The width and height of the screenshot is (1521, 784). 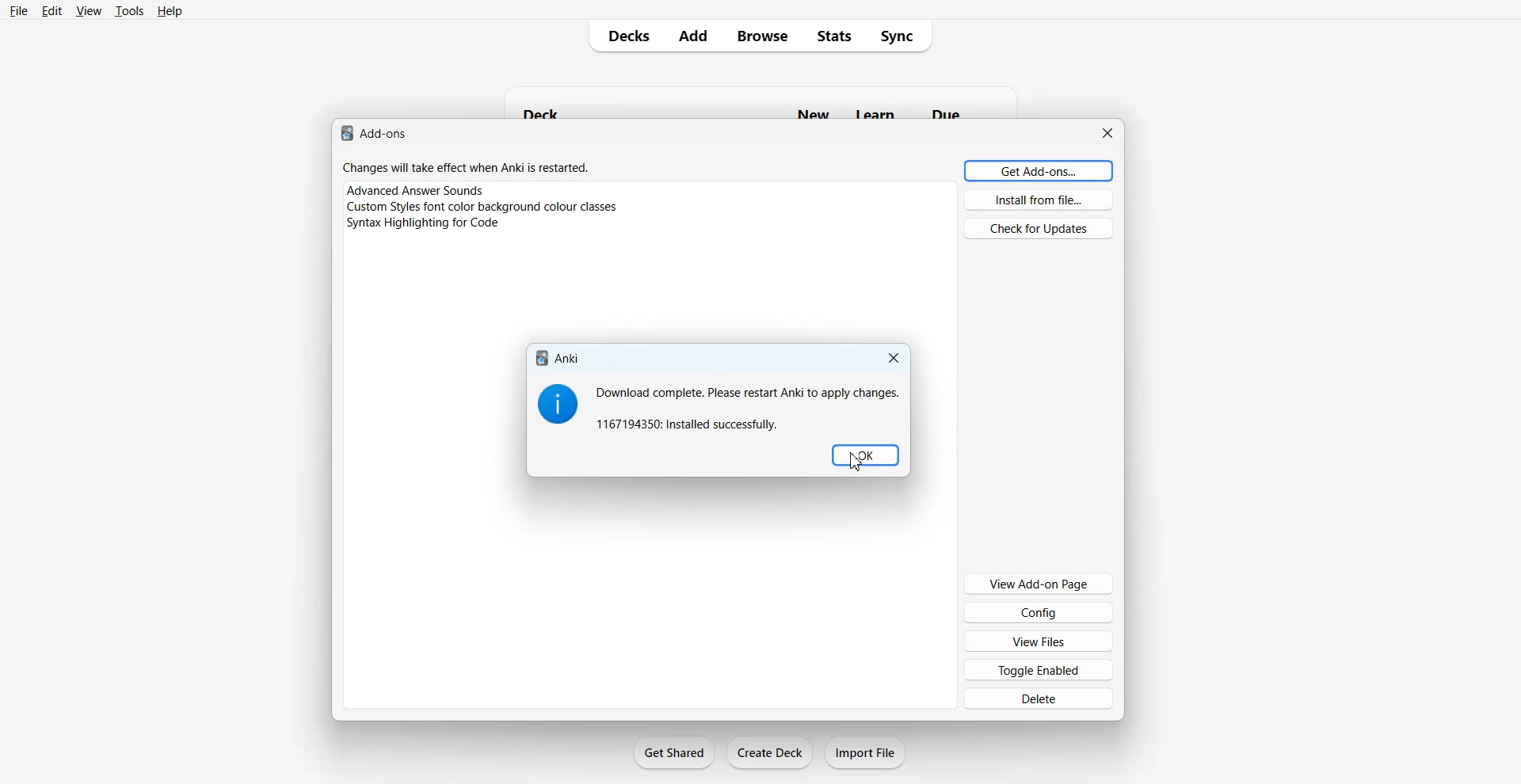 What do you see at coordinates (19, 10) in the screenshot?
I see `File` at bounding box center [19, 10].